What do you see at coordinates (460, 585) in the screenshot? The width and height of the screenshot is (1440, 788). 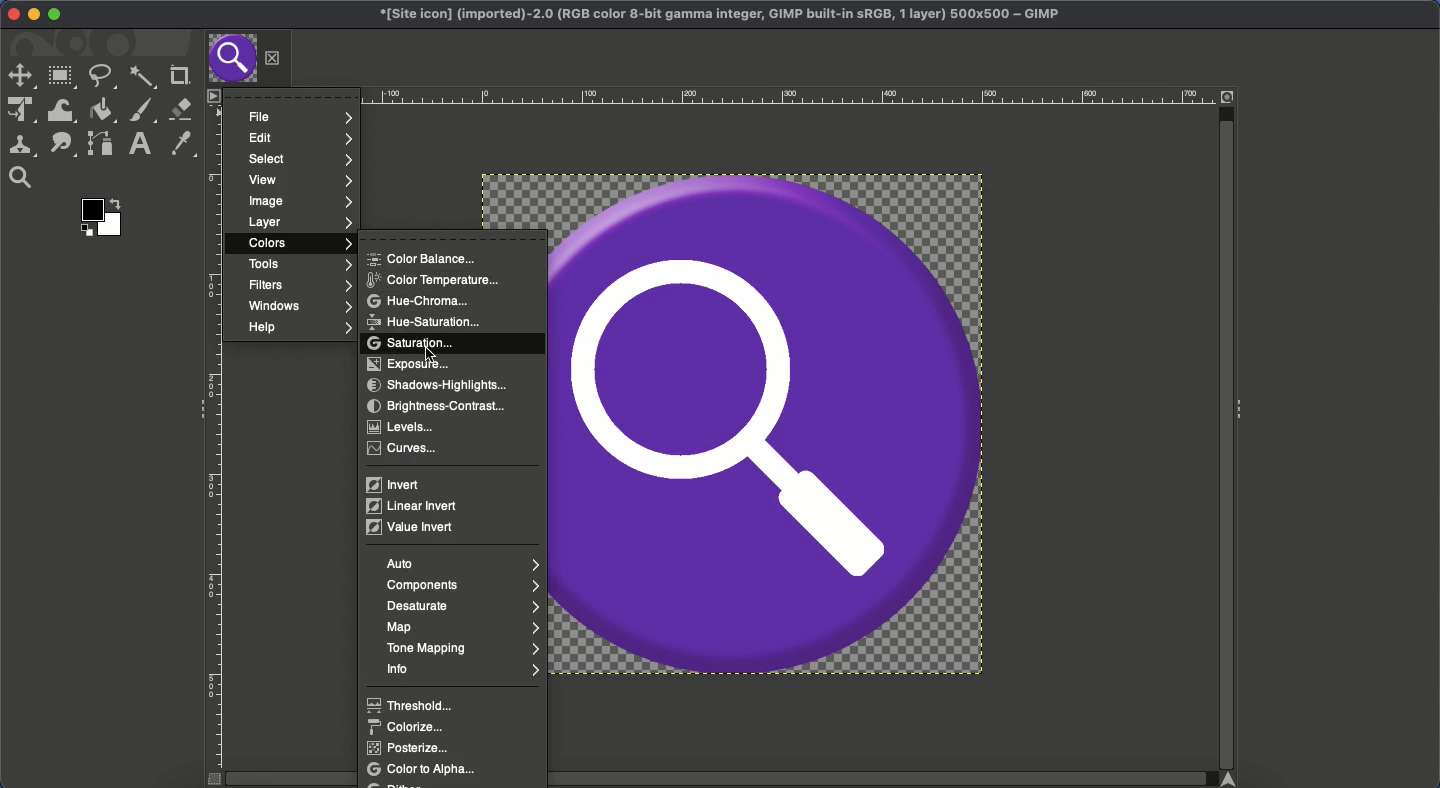 I see `Components` at bounding box center [460, 585].